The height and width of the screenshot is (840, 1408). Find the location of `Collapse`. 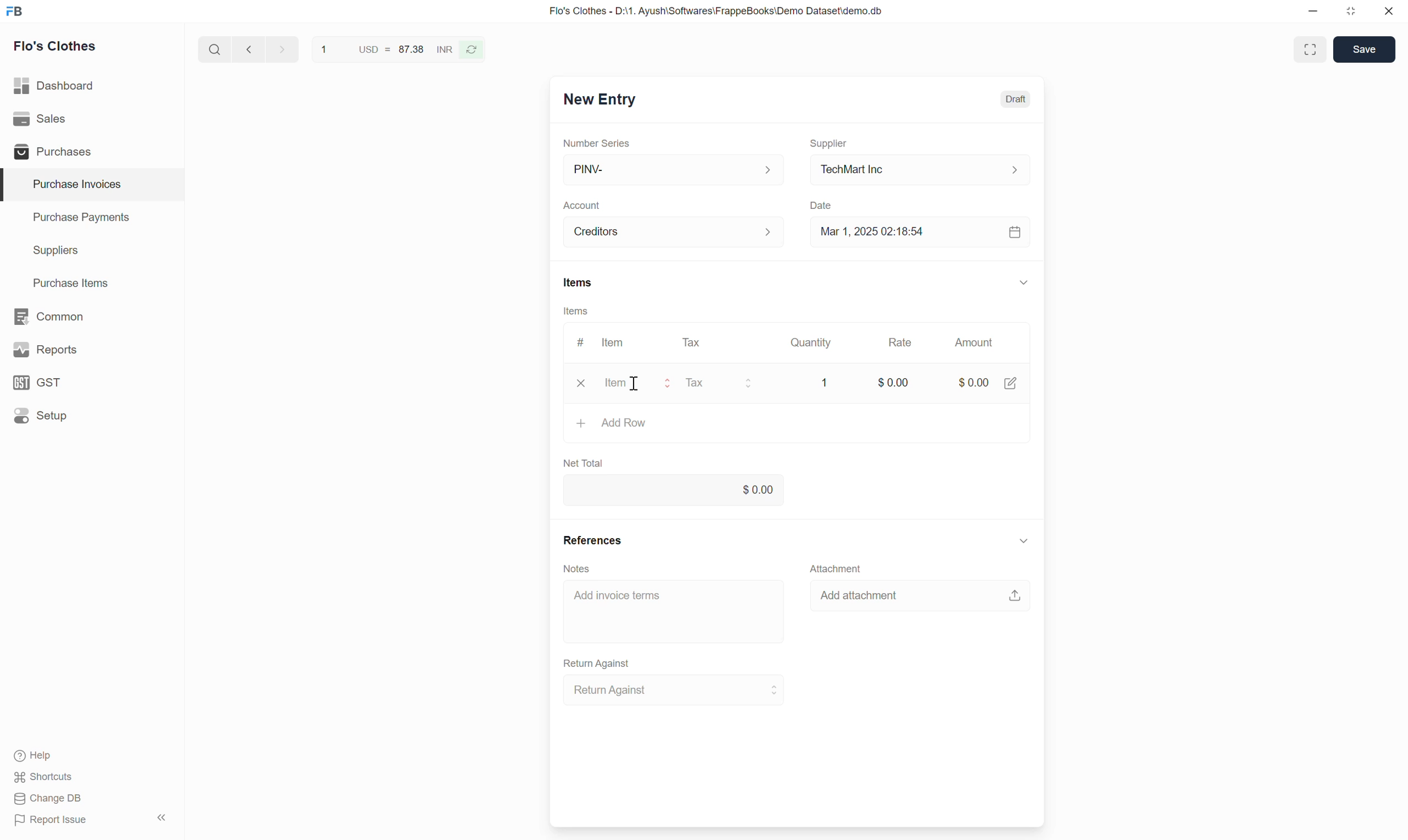

Collapse is located at coordinates (161, 817).